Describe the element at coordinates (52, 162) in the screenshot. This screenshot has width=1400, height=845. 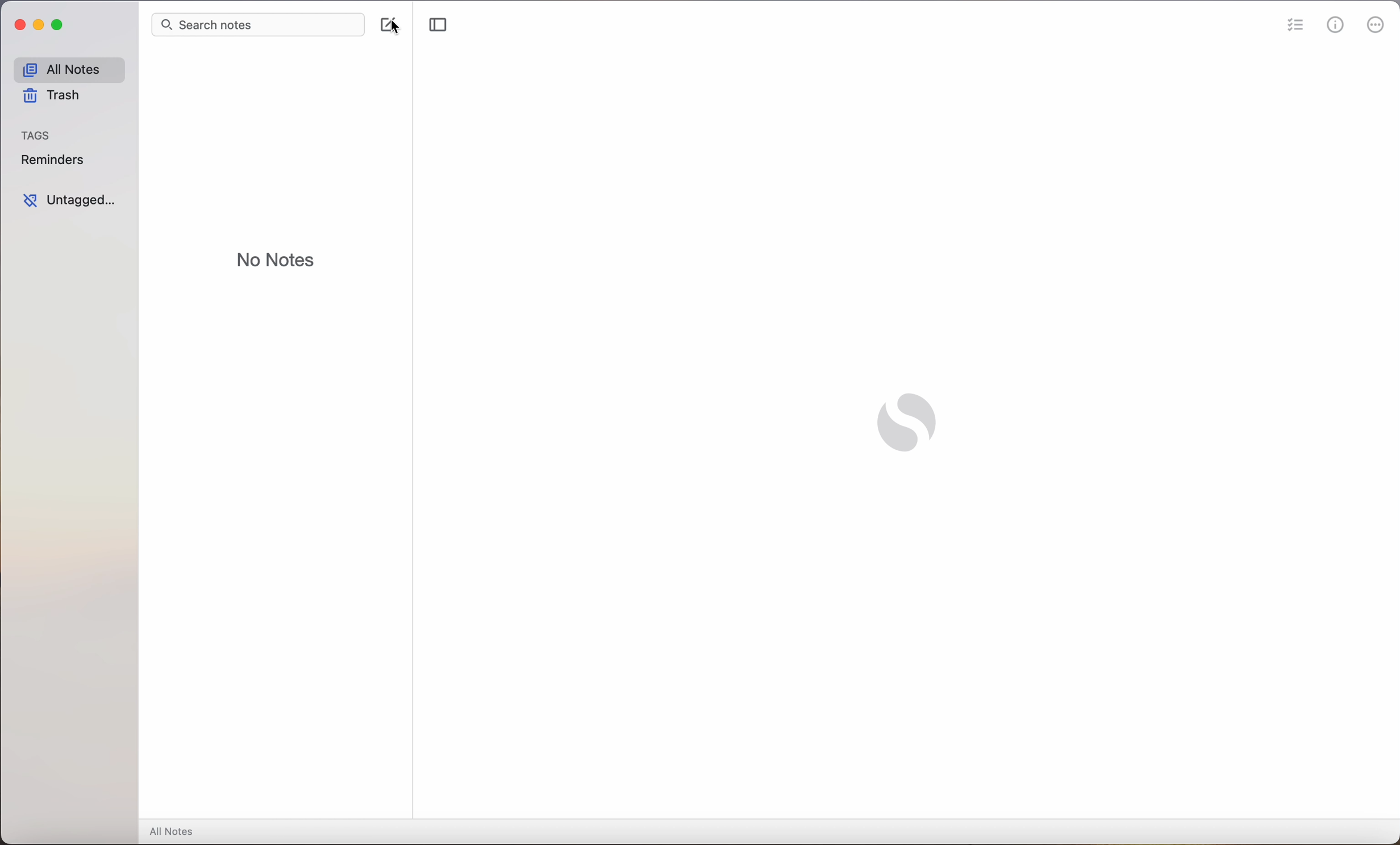
I see `reminders` at that location.